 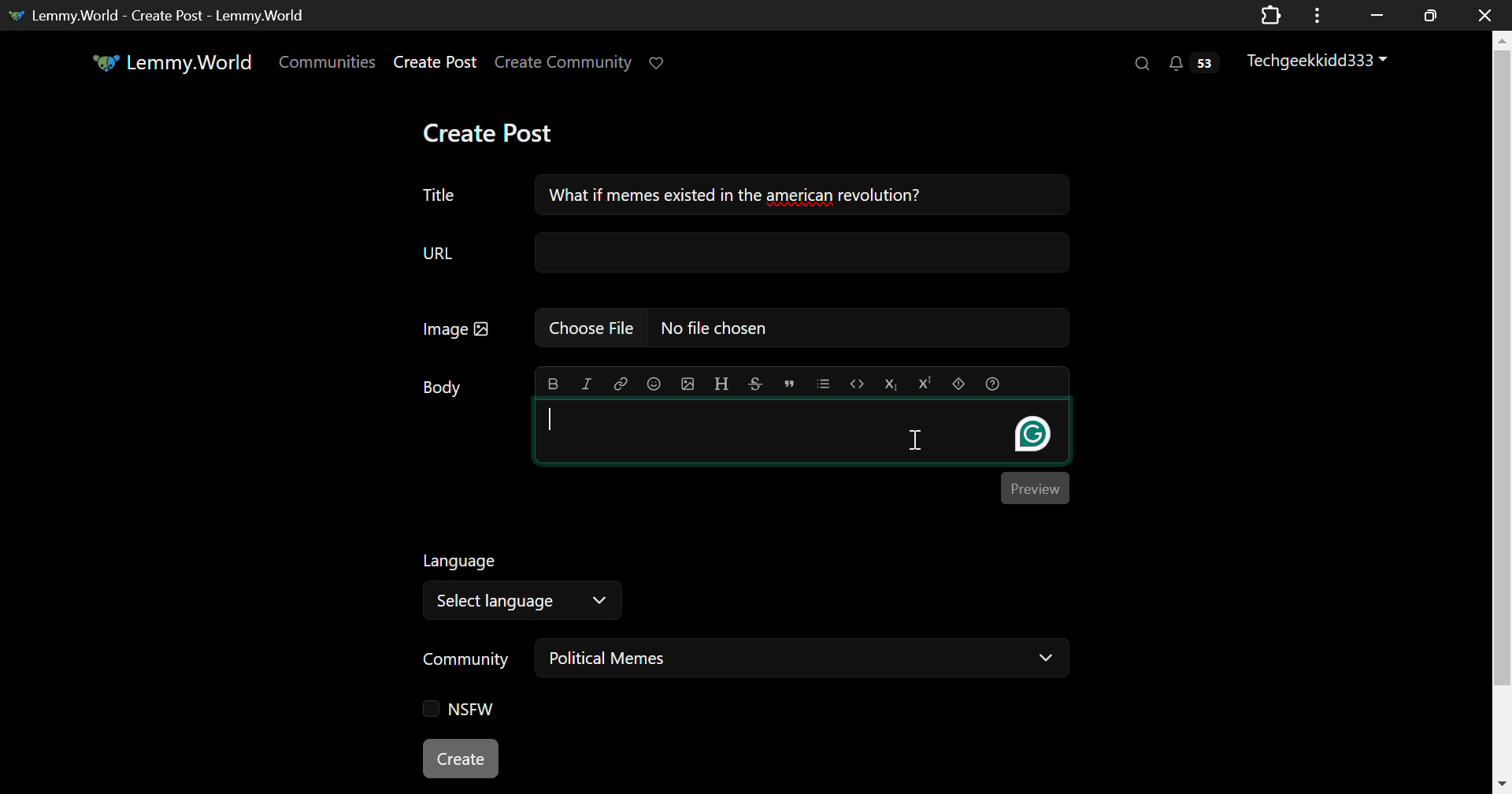 I want to click on Post Preview Button, so click(x=1036, y=488).